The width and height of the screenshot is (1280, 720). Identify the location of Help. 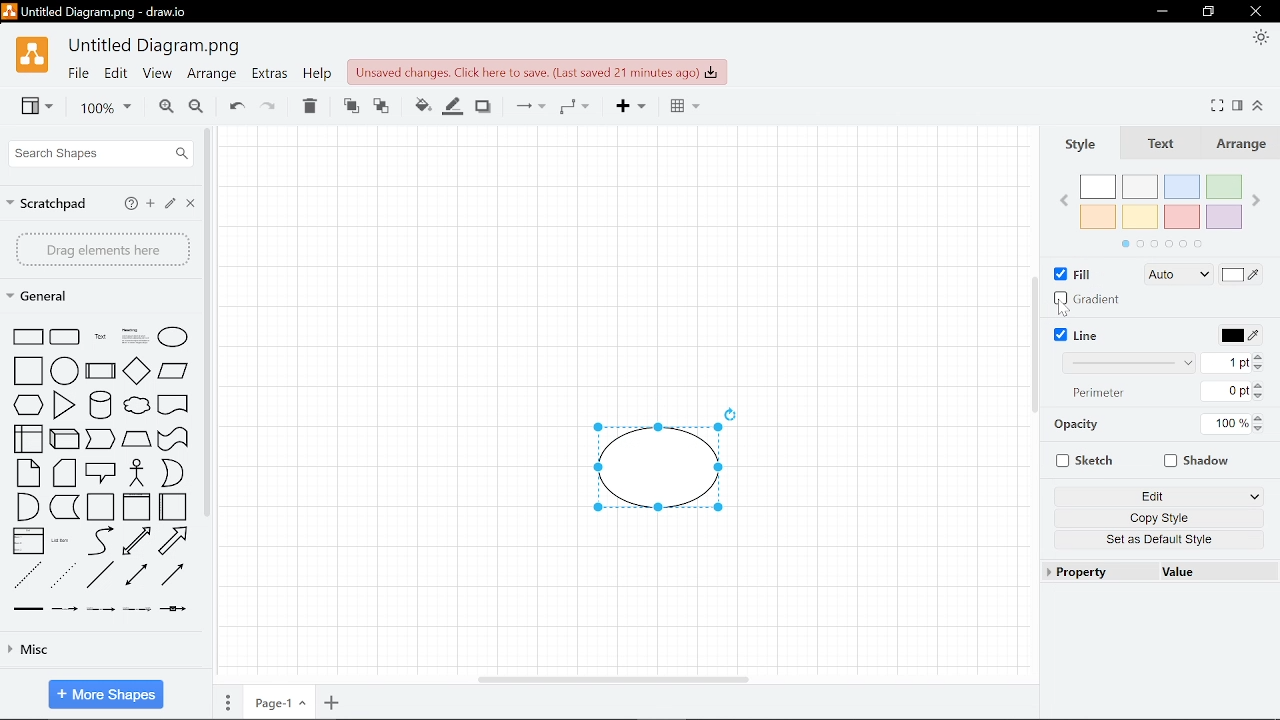
(317, 74).